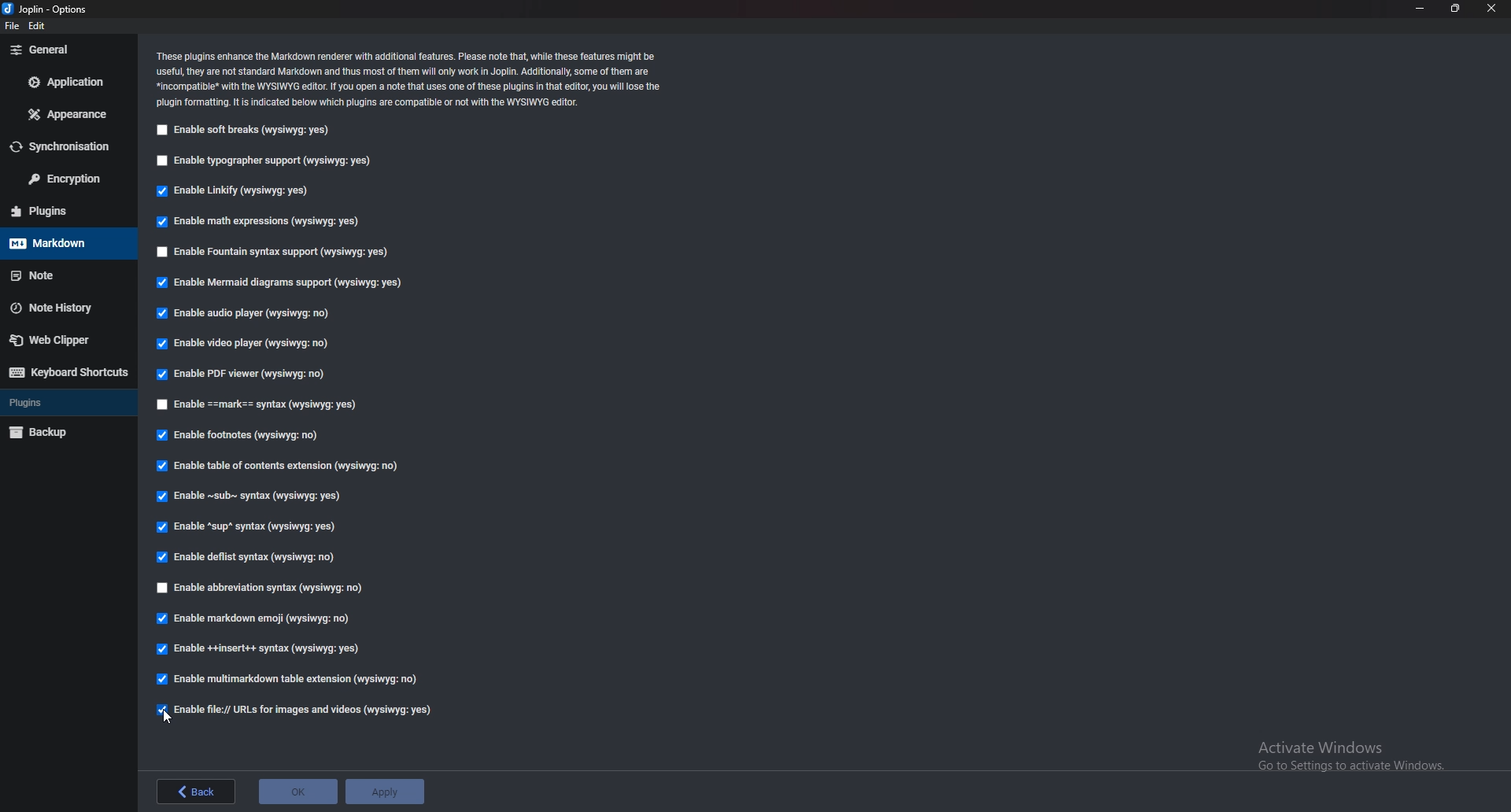 The width and height of the screenshot is (1511, 812). I want to click on close, so click(1493, 9).